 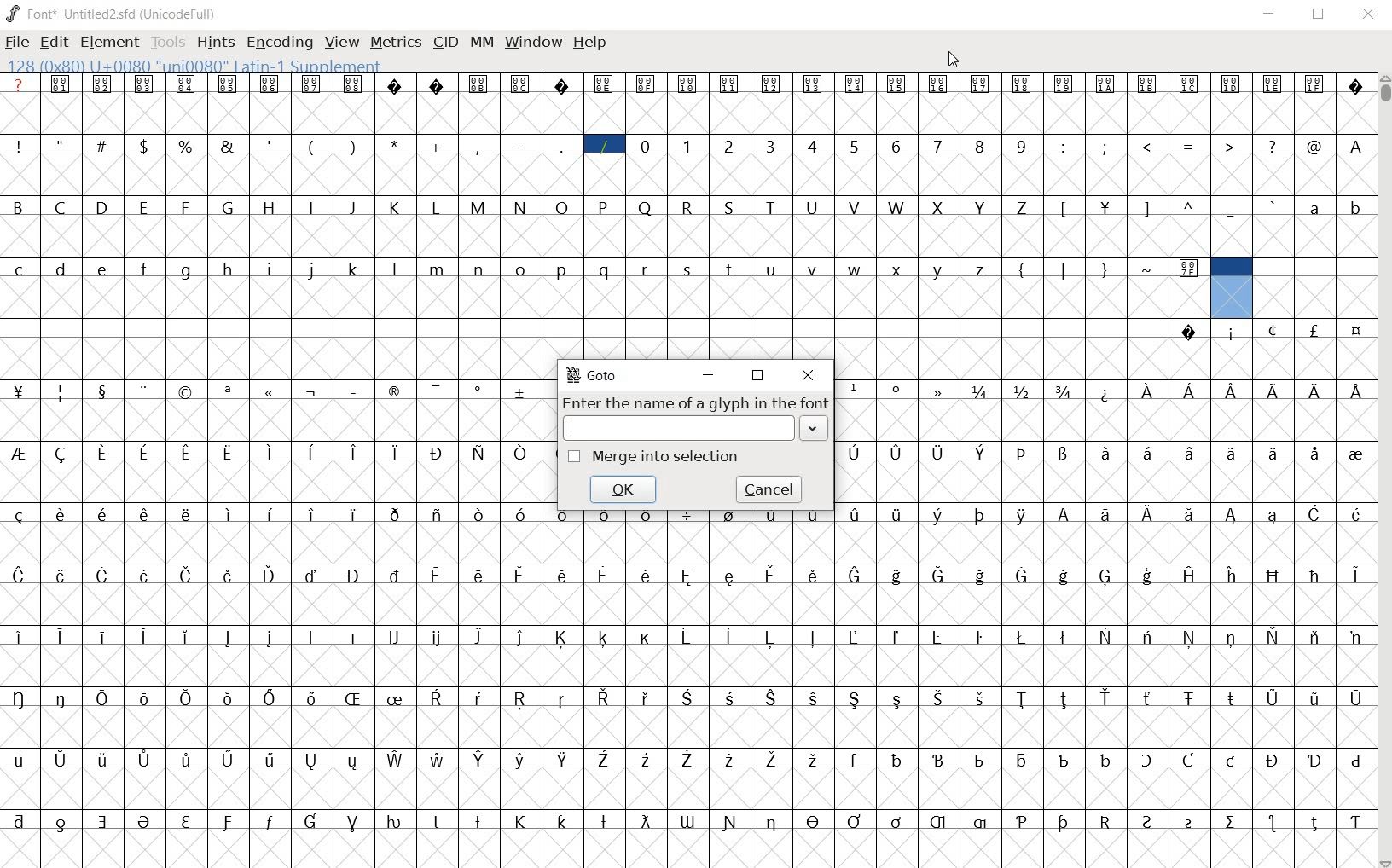 I want to click on Symbol, so click(x=63, y=513).